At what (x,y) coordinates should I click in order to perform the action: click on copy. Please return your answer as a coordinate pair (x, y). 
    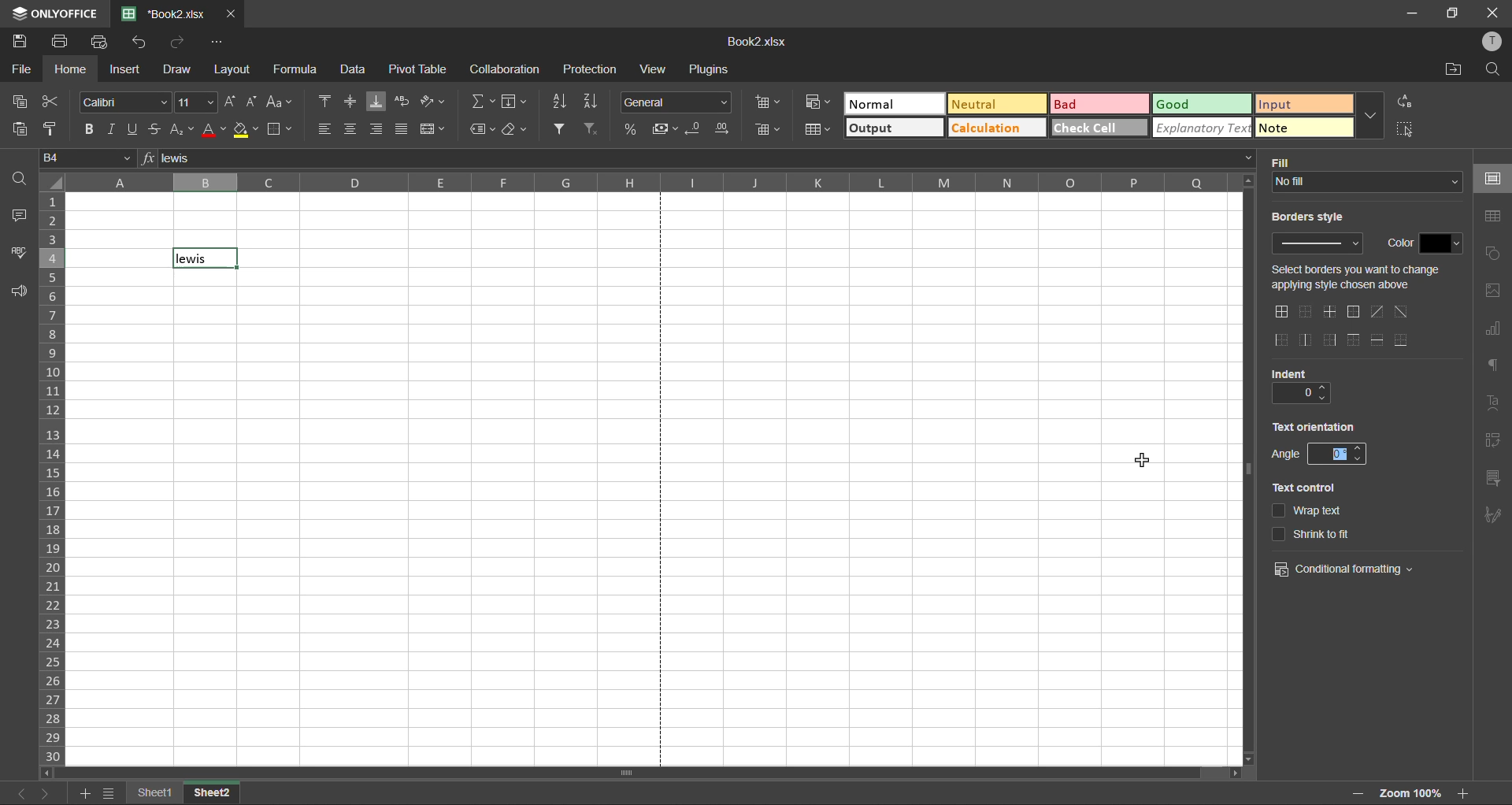
    Looking at the image, I should click on (23, 102).